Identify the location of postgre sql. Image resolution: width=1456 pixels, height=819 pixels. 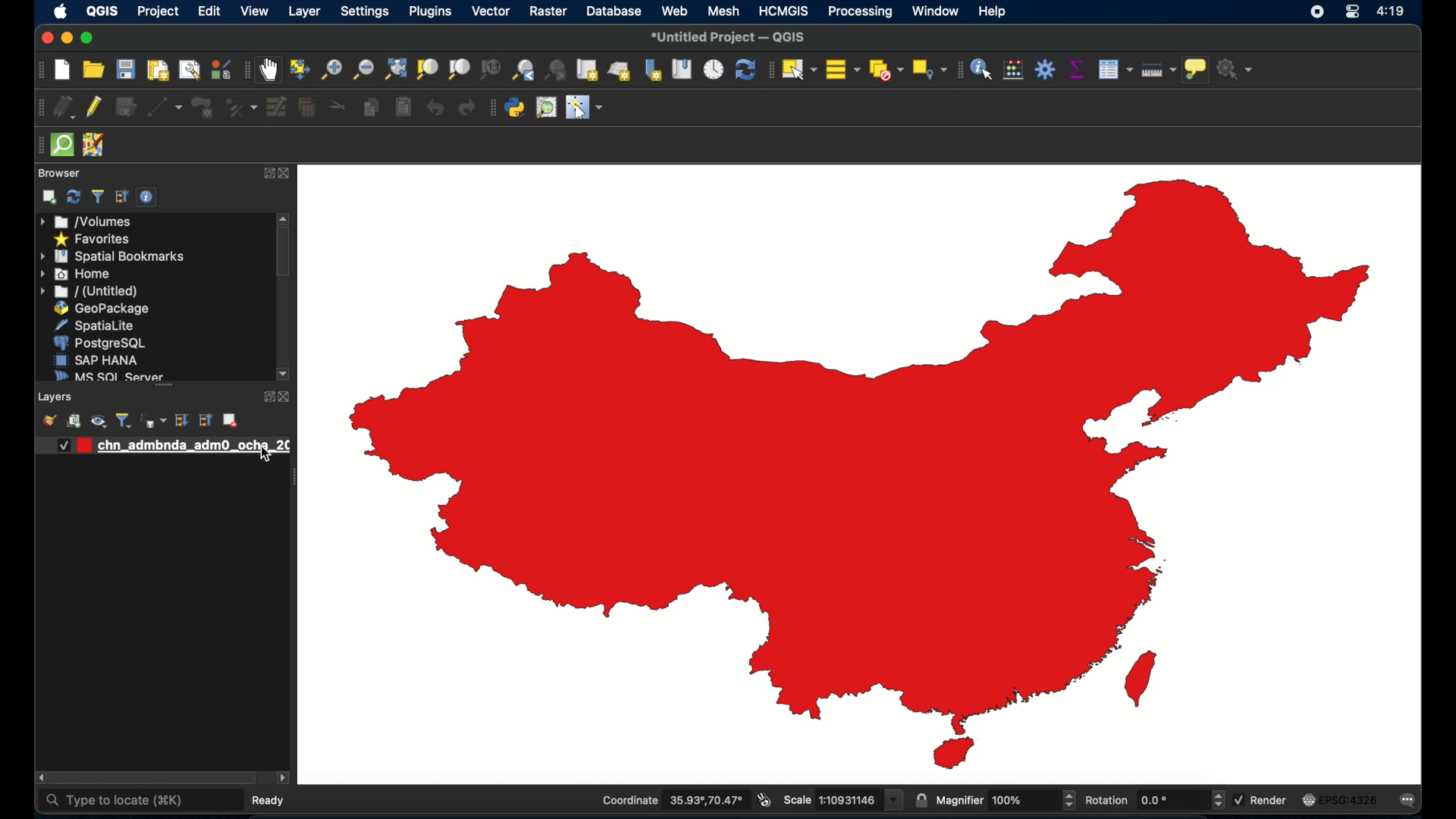
(99, 343).